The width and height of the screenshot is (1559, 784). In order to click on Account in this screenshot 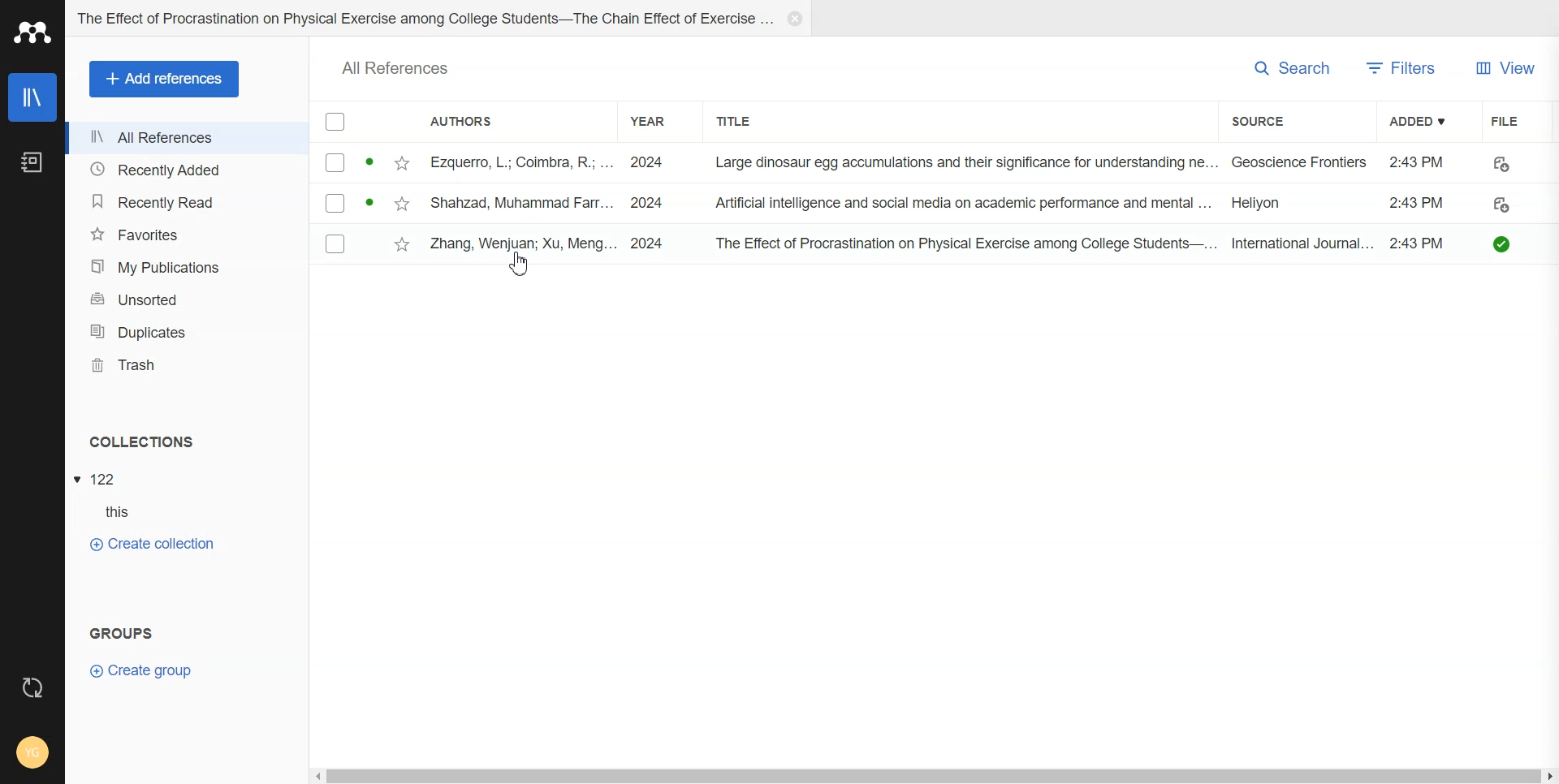, I will do `click(29, 748)`.